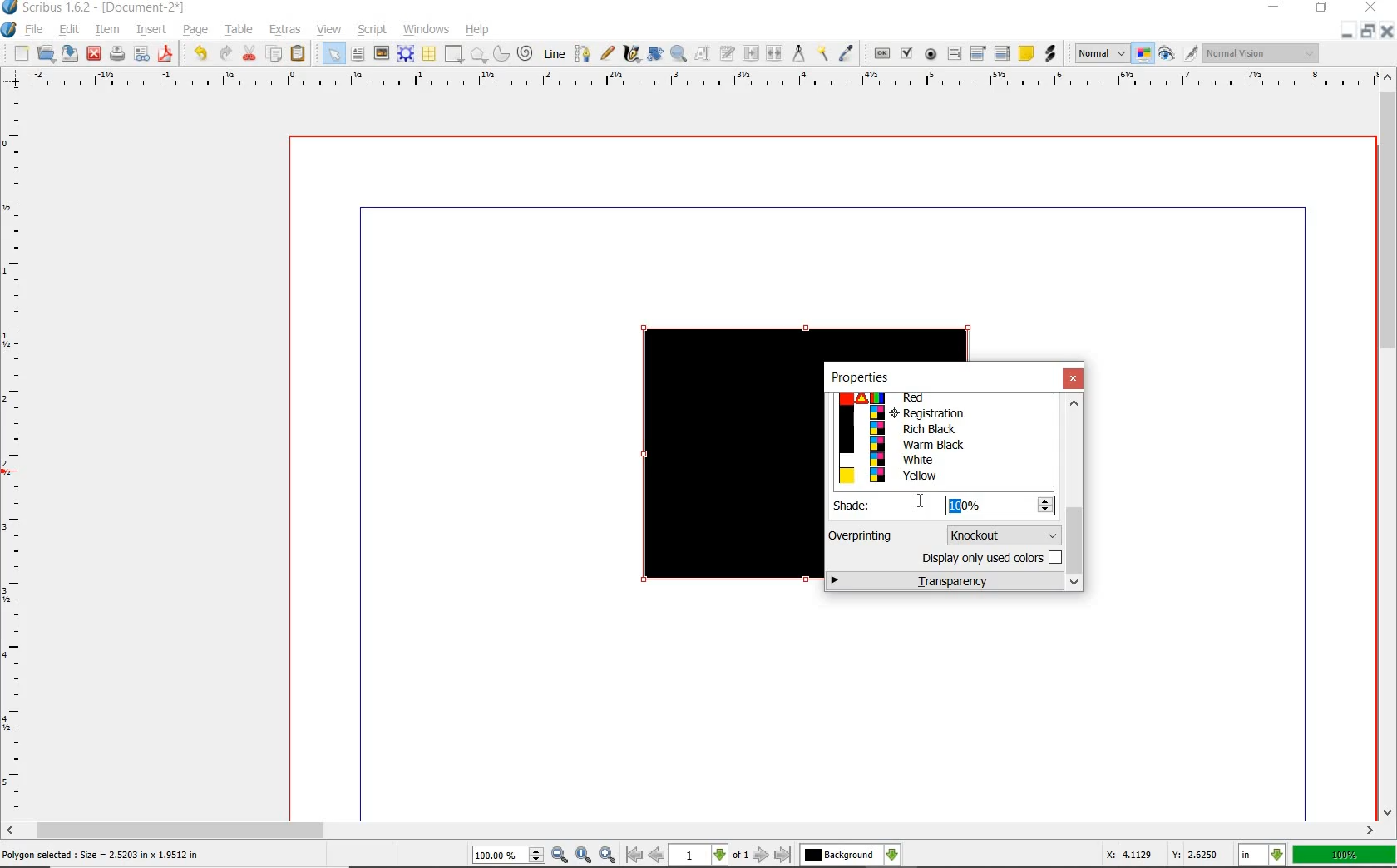 This screenshot has width=1397, height=868. What do you see at coordinates (634, 856) in the screenshot?
I see `go to first page` at bounding box center [634, 856].